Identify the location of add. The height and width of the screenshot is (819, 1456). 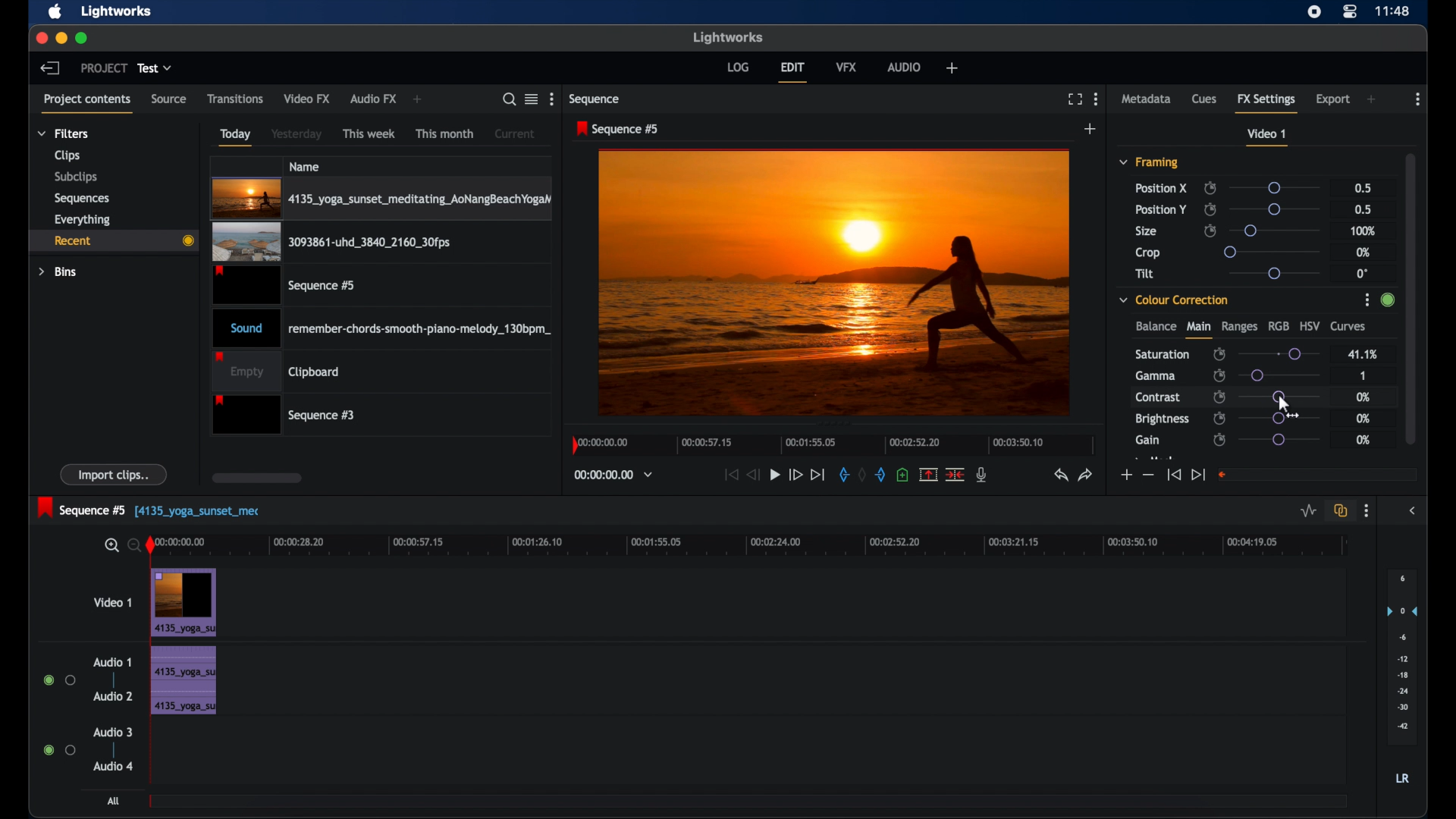
(1090, 129).